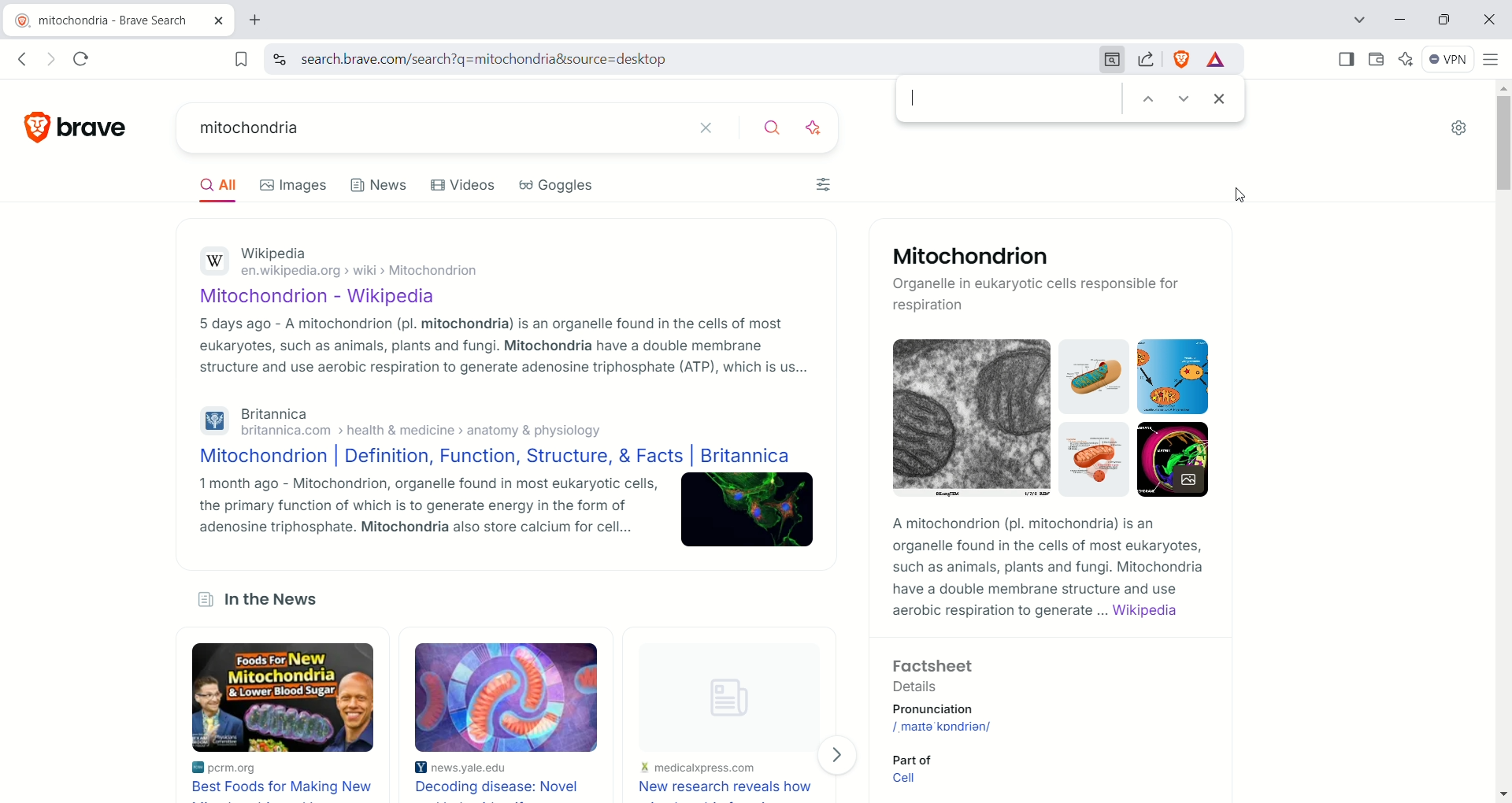  What do you see at coordinates (746, 509) in the screenshot?
I see `Image` at bounding box center [746, 509].